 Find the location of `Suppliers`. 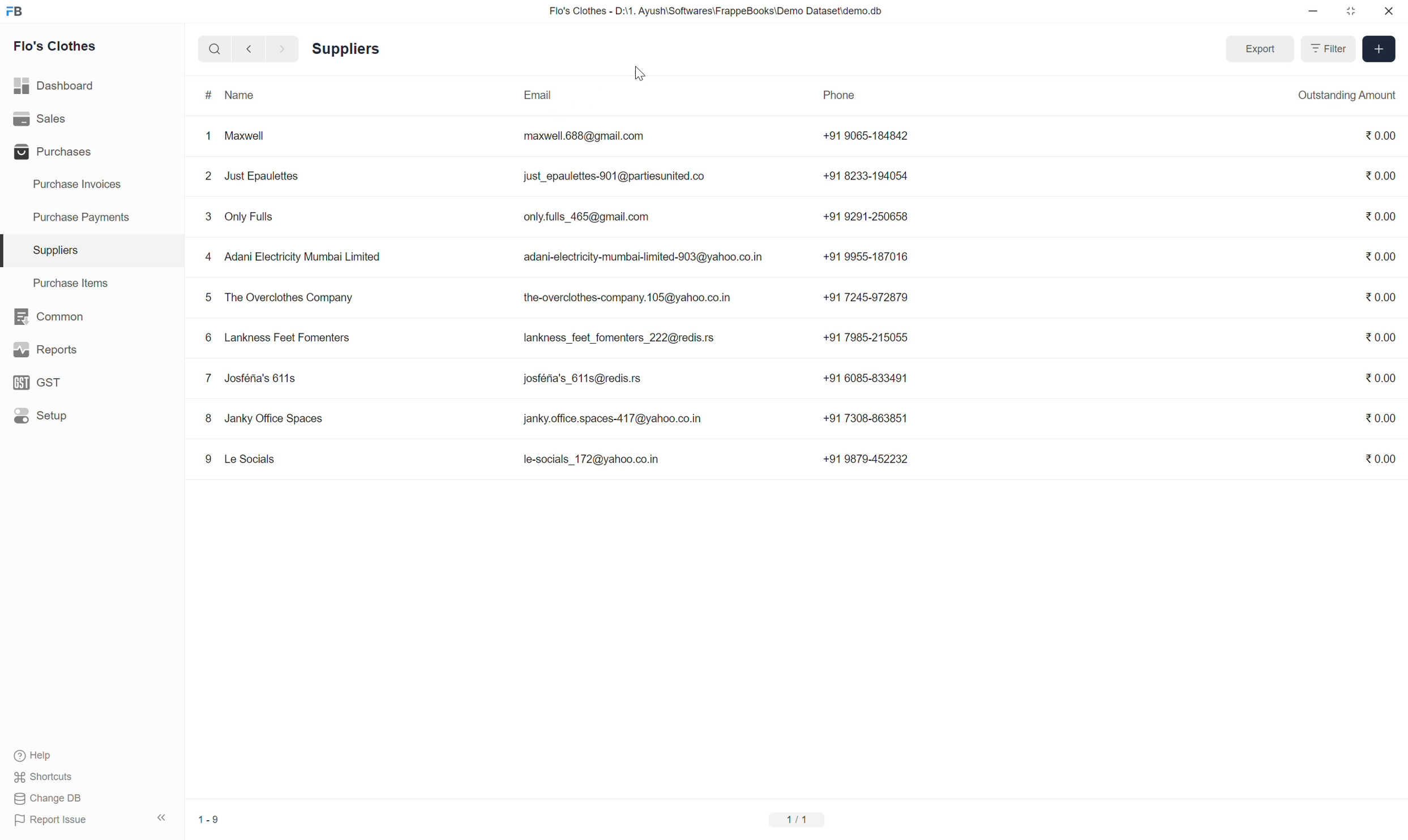

Suppliers is located at coordinates (54, 250).